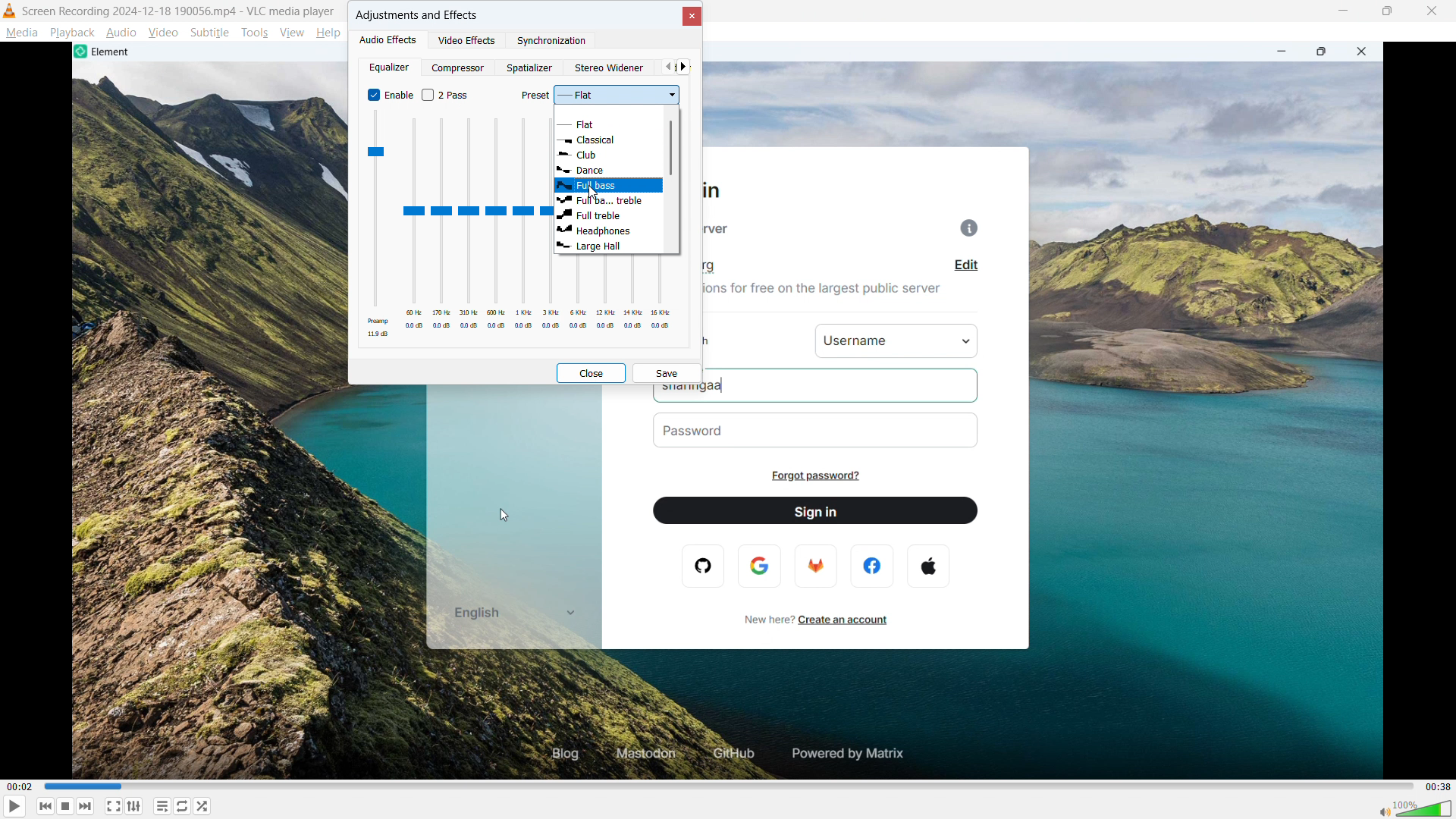 The width and height of the screenshot is (1456, 819). I want to click on Adjustments and effects, so click(417, 15).